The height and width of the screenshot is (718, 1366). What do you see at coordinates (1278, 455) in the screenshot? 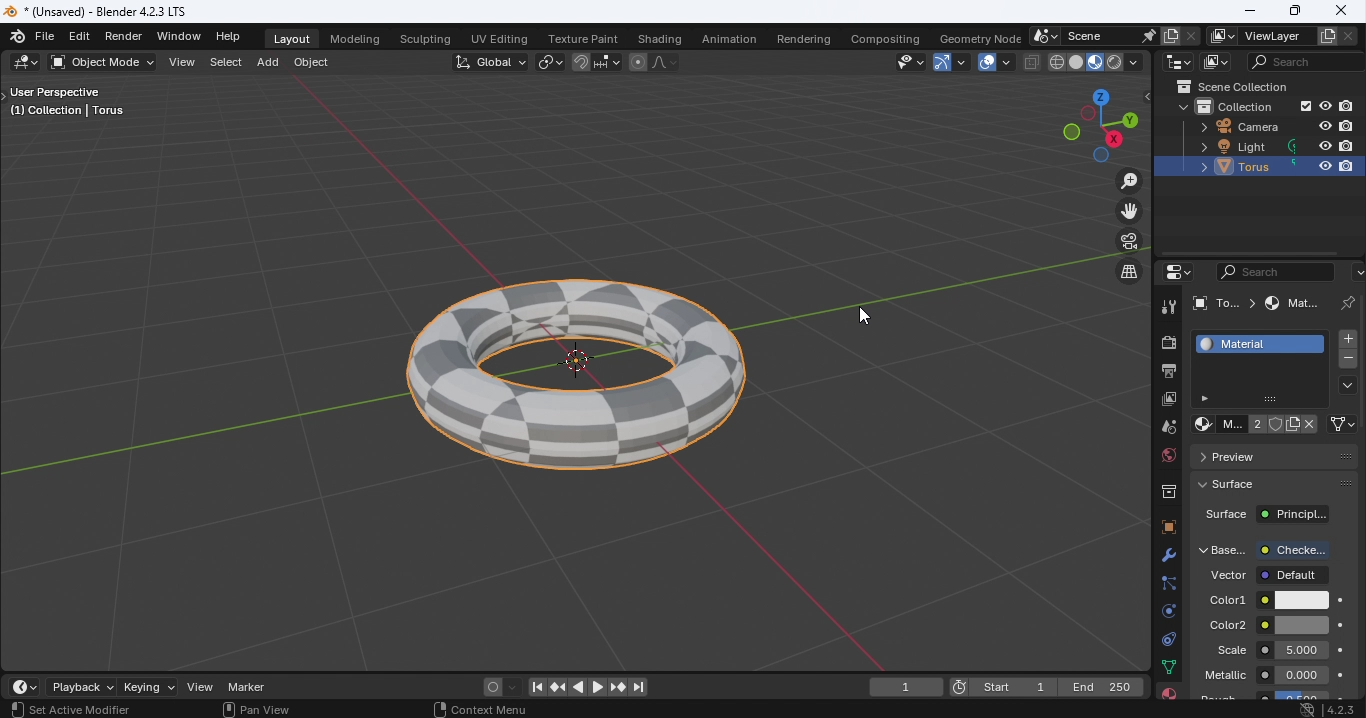
I see `Preview` at bounding box center [1278, 455].